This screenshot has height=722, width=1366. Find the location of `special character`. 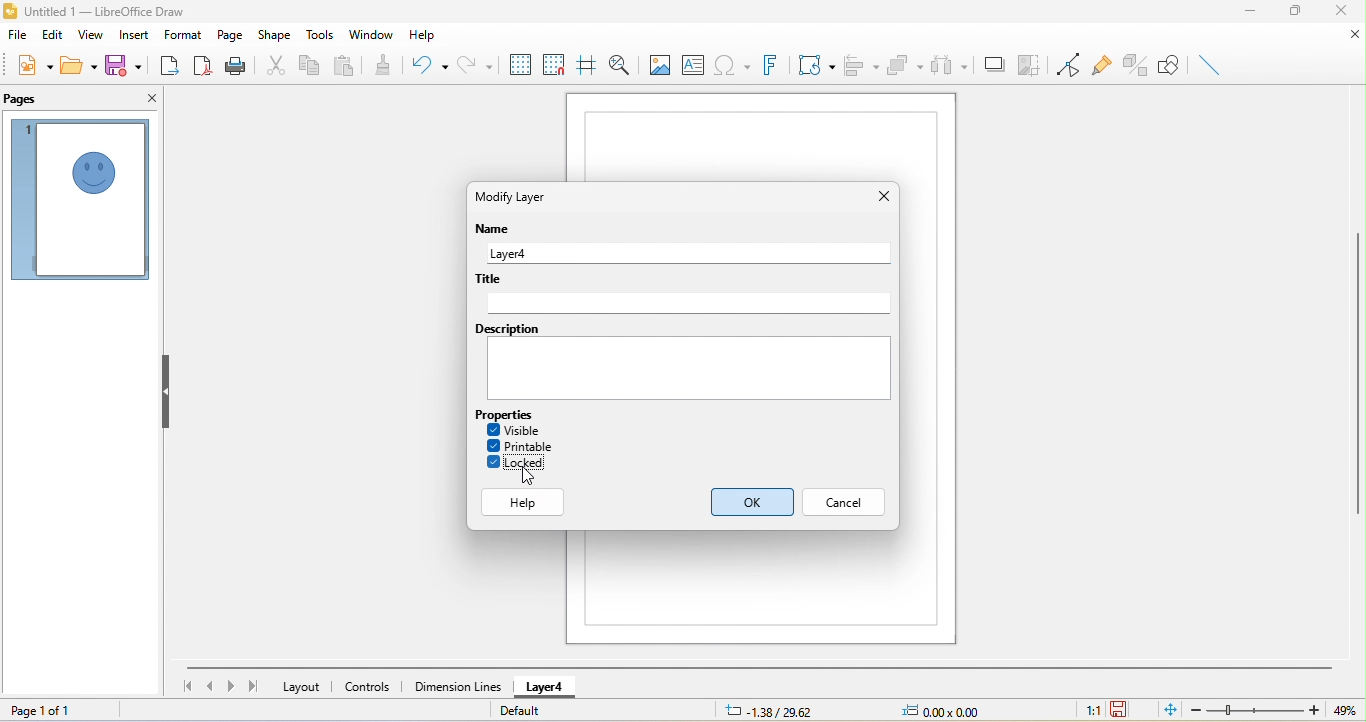

special character is located at coordinates (731, 64).